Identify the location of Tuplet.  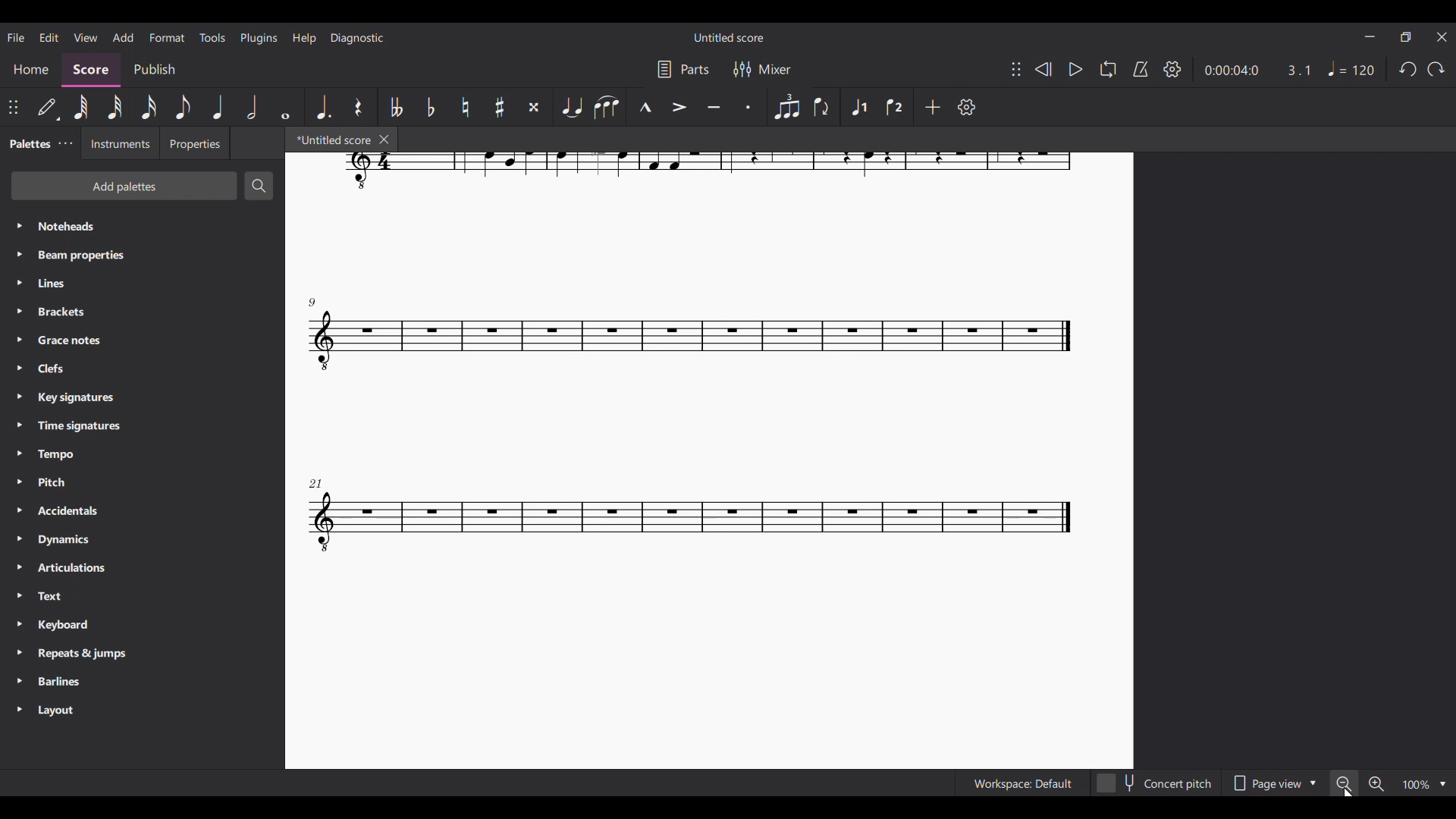
(786, 106).